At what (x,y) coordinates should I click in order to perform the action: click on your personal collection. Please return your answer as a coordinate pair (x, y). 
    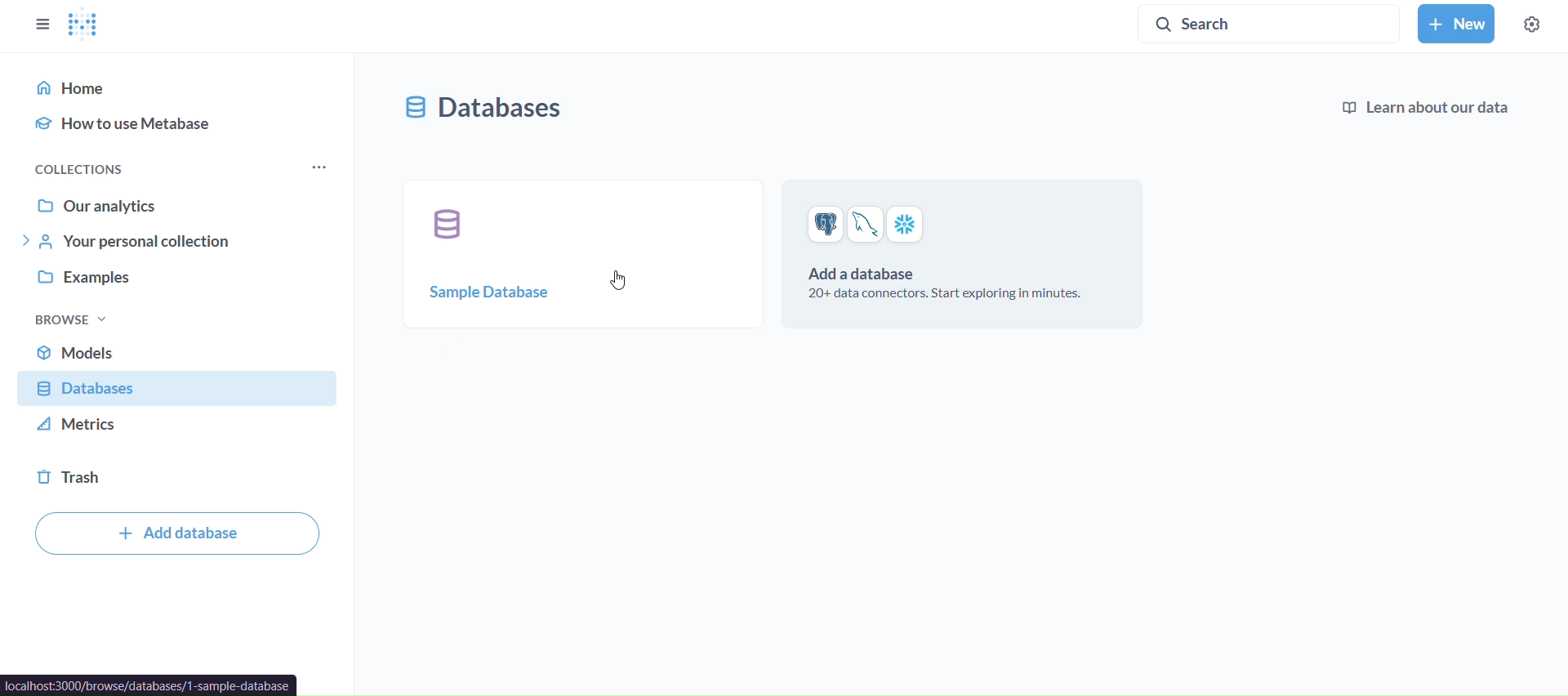
    Looking at the image, I should click on (178, 242).